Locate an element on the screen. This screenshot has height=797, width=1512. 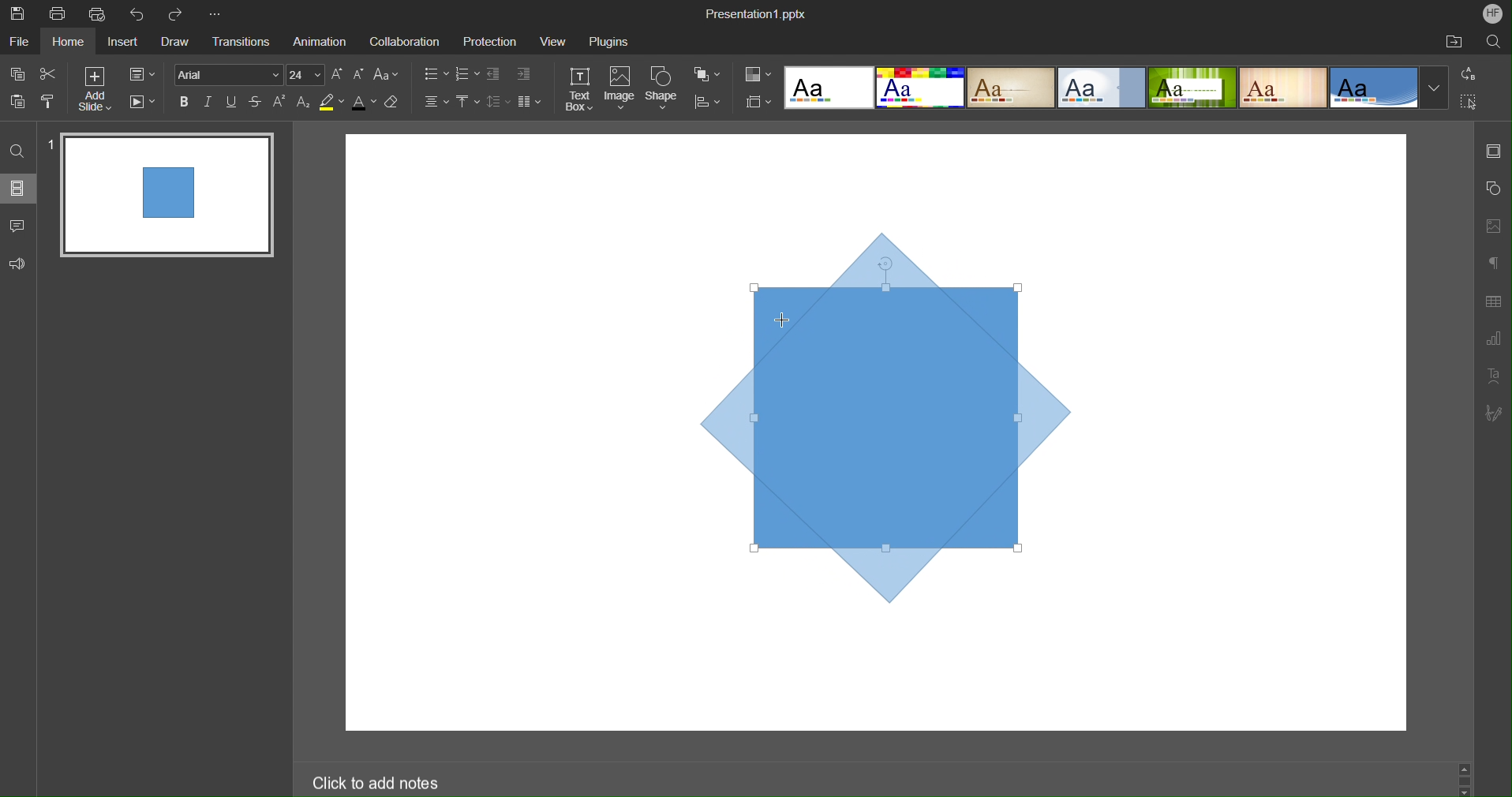
Account is located at coordinates (1491, 15).